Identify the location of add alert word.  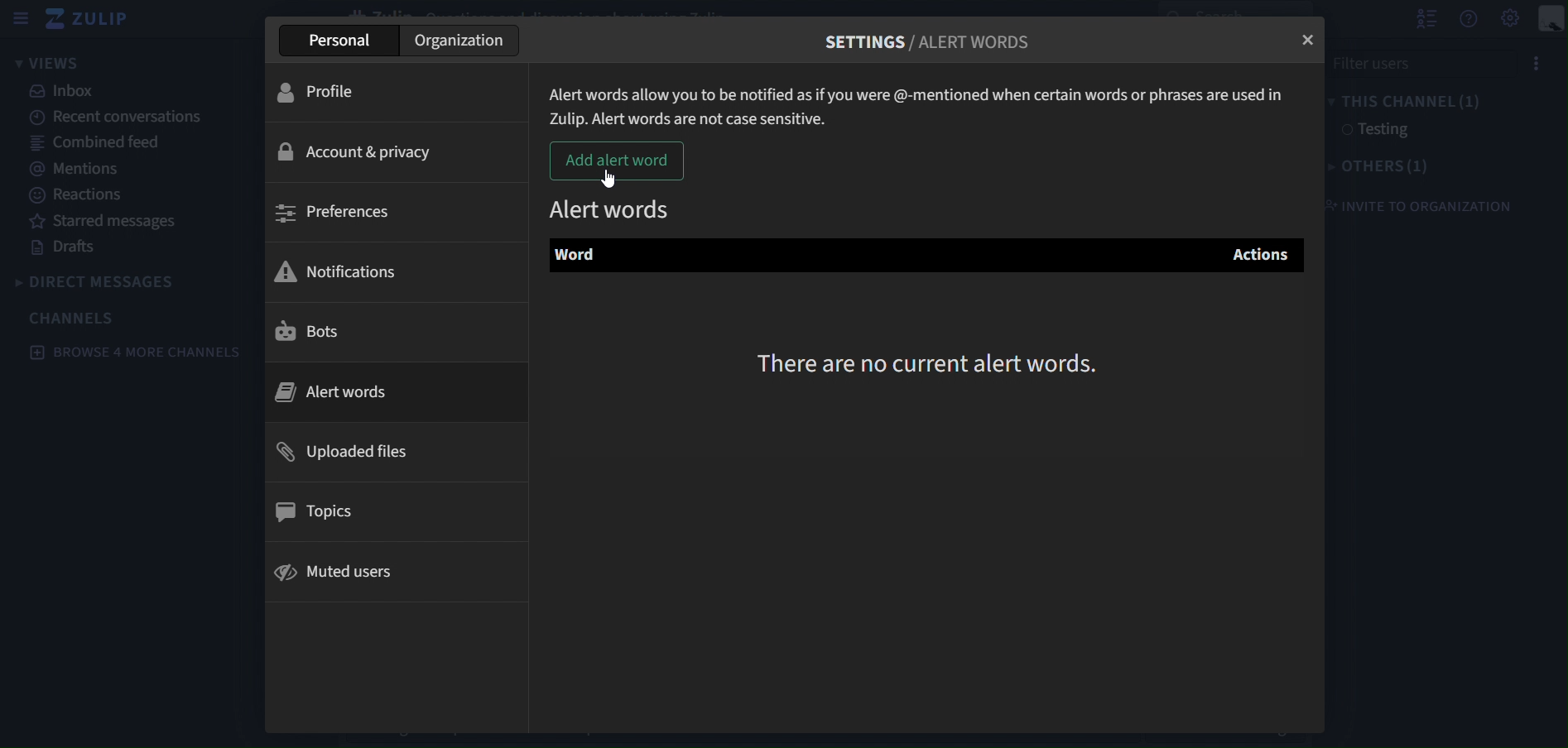
(618, 161).